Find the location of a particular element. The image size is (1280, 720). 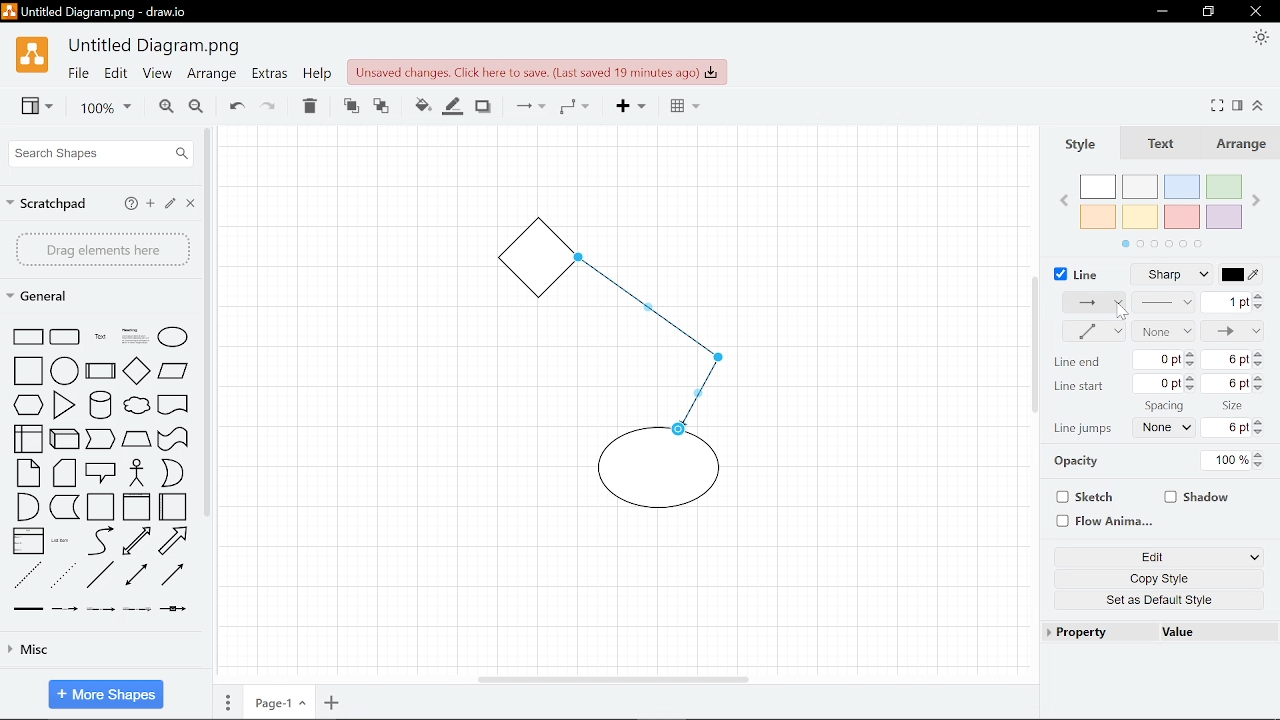

General shapes is located at coordinates (49, 297).